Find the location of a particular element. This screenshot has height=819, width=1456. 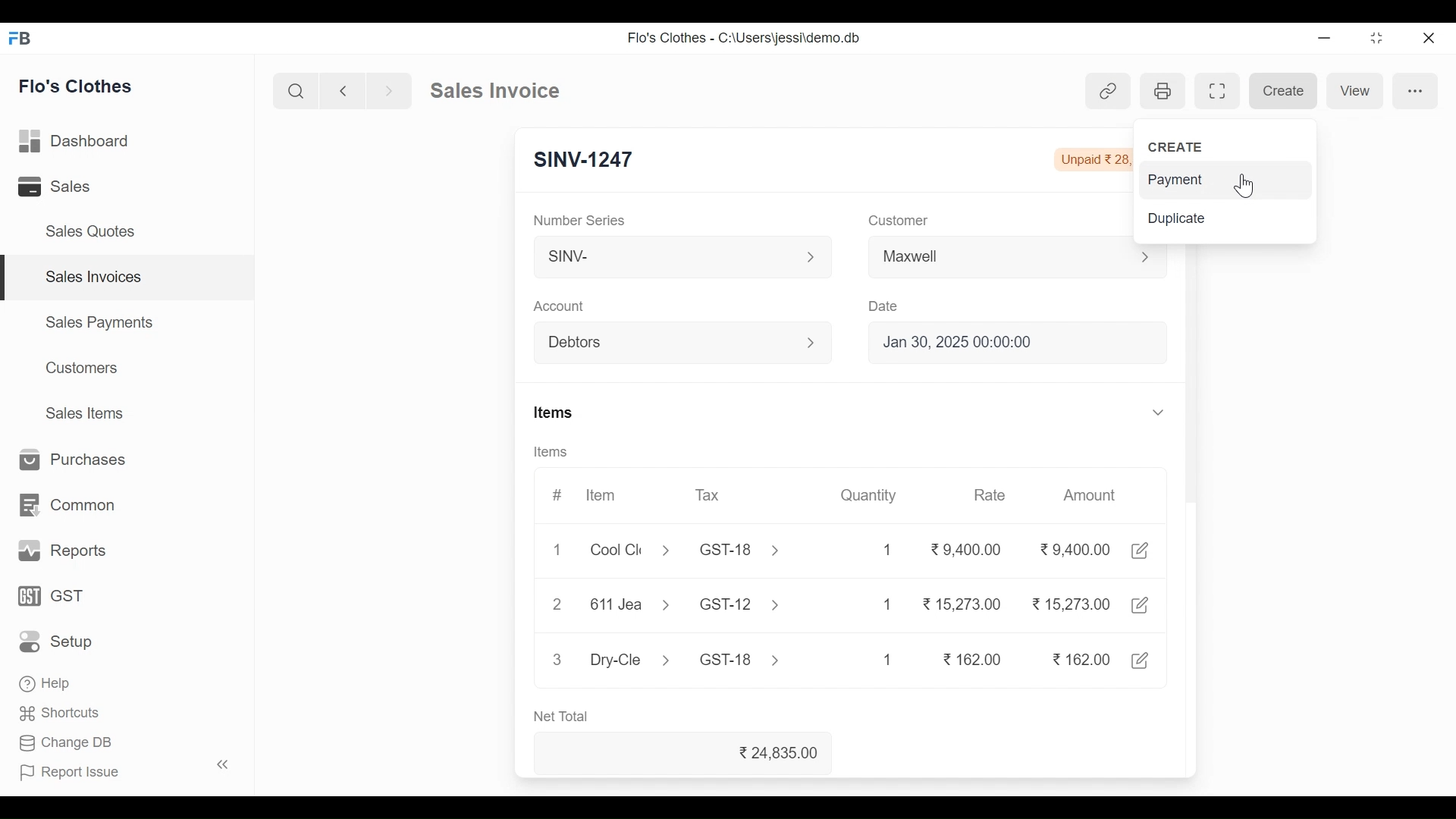

Item is located at coordinates (602, 496).